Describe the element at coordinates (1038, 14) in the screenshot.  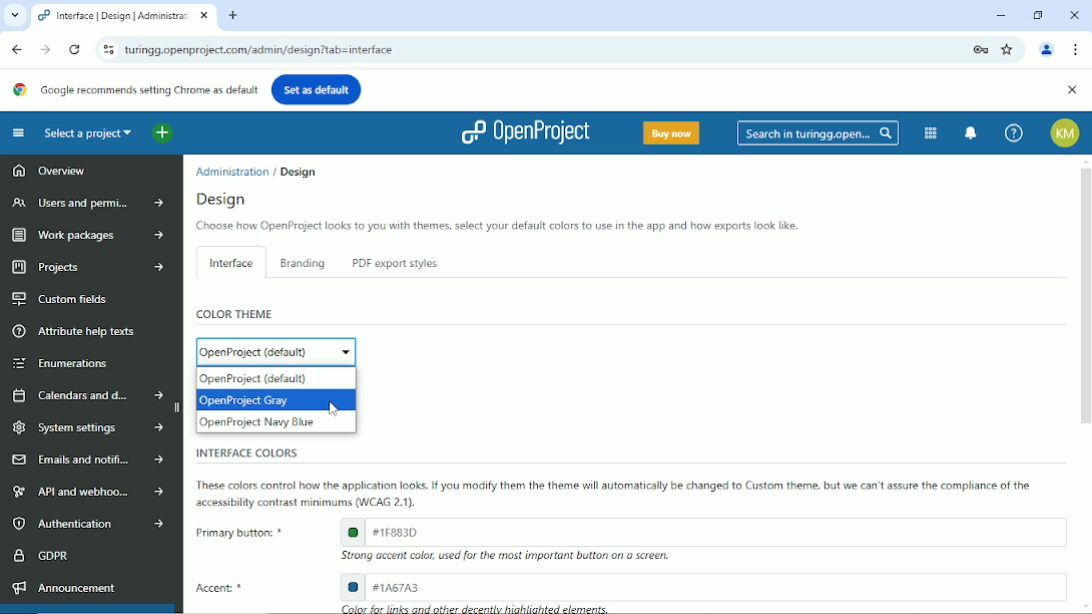
I see `Restore down` at that location.